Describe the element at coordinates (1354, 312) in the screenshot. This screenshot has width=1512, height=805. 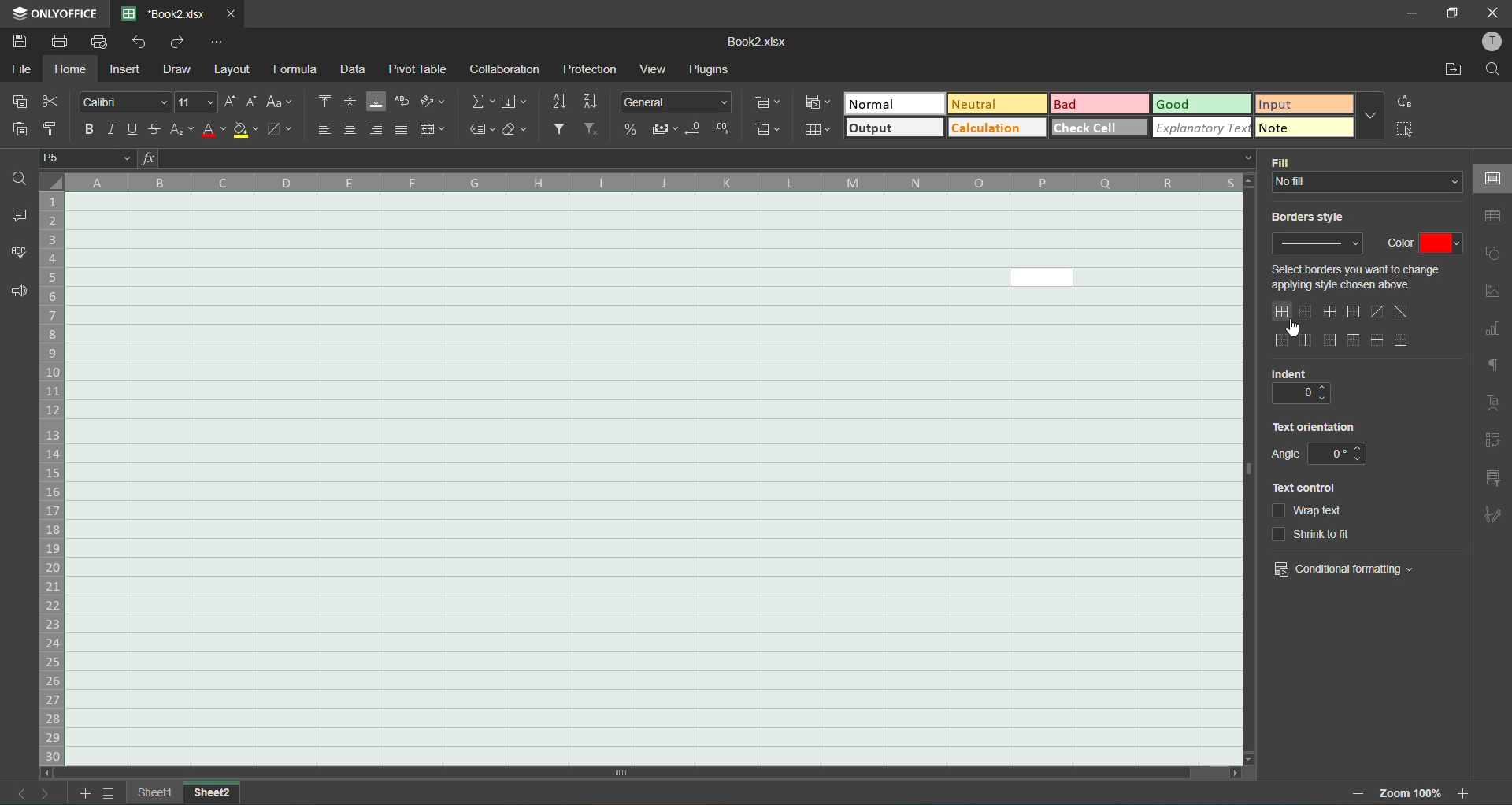
I see `outer borders only` at that location.